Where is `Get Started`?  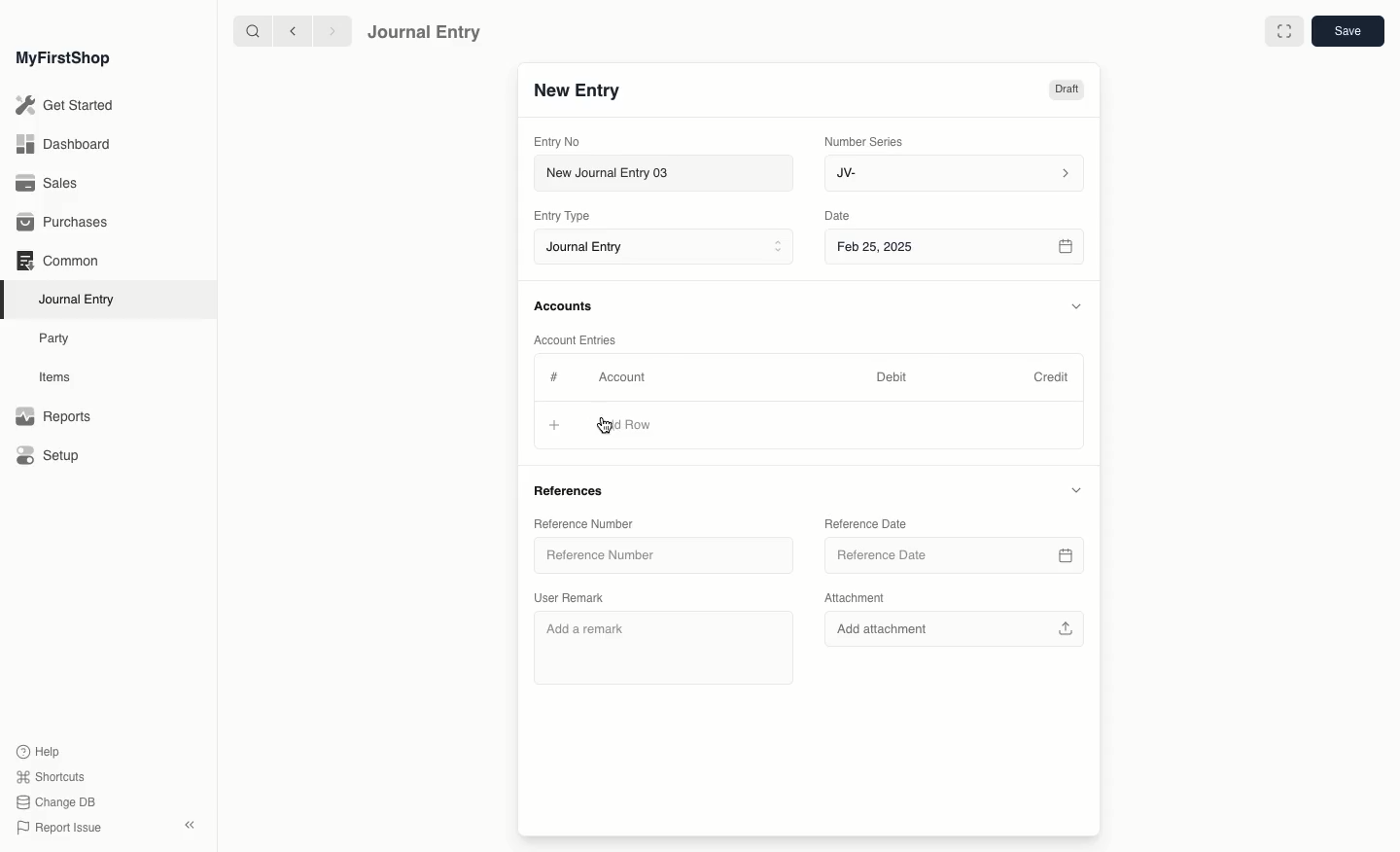 Get Started is located at coordinates (66, 106).